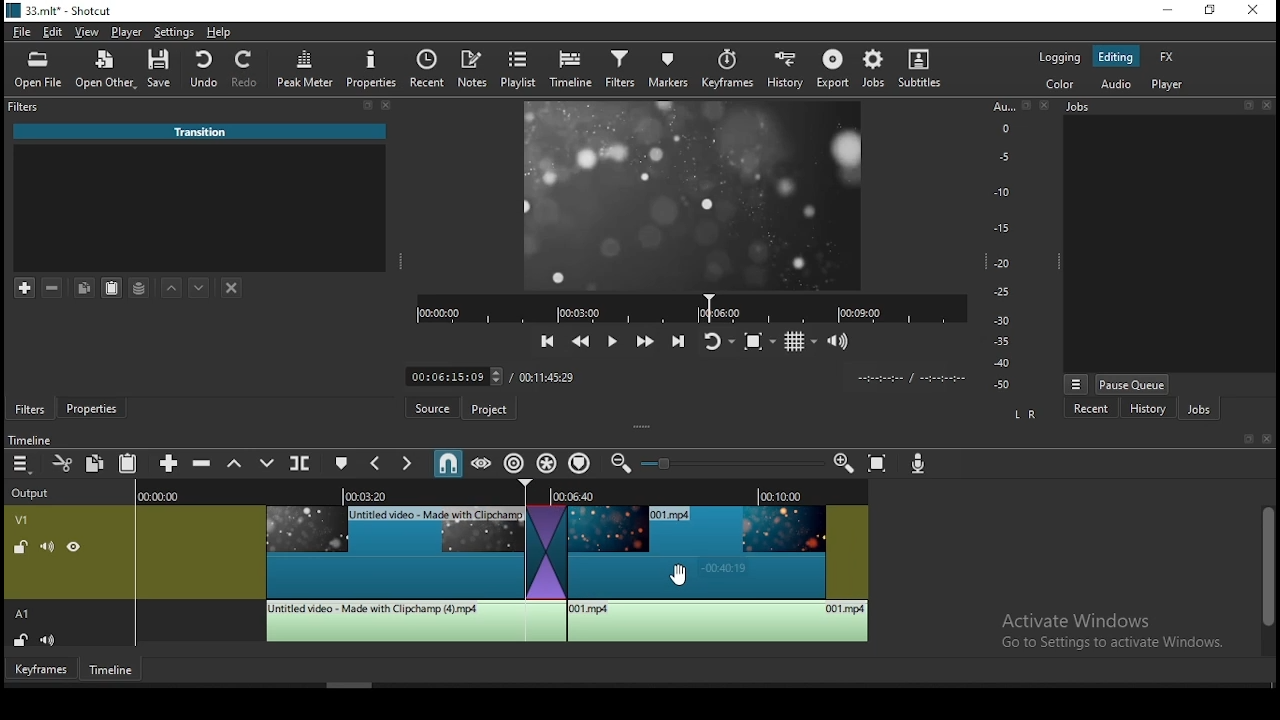 This screenshot has width=1280, height=720. I want to click on copy, so click(99, 463).